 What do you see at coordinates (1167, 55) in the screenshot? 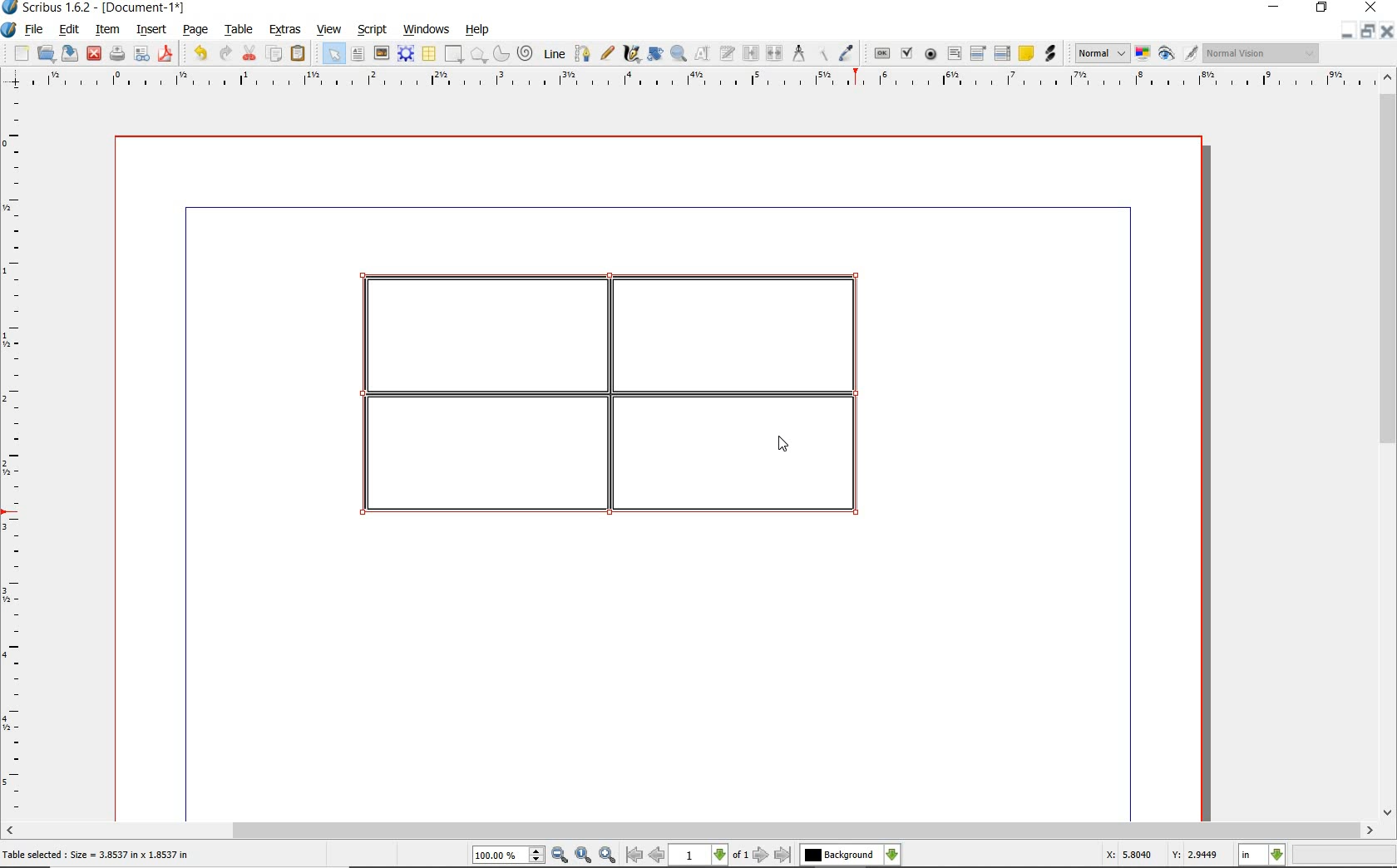
I see `preview mode` at bounding box center [1167, 55].